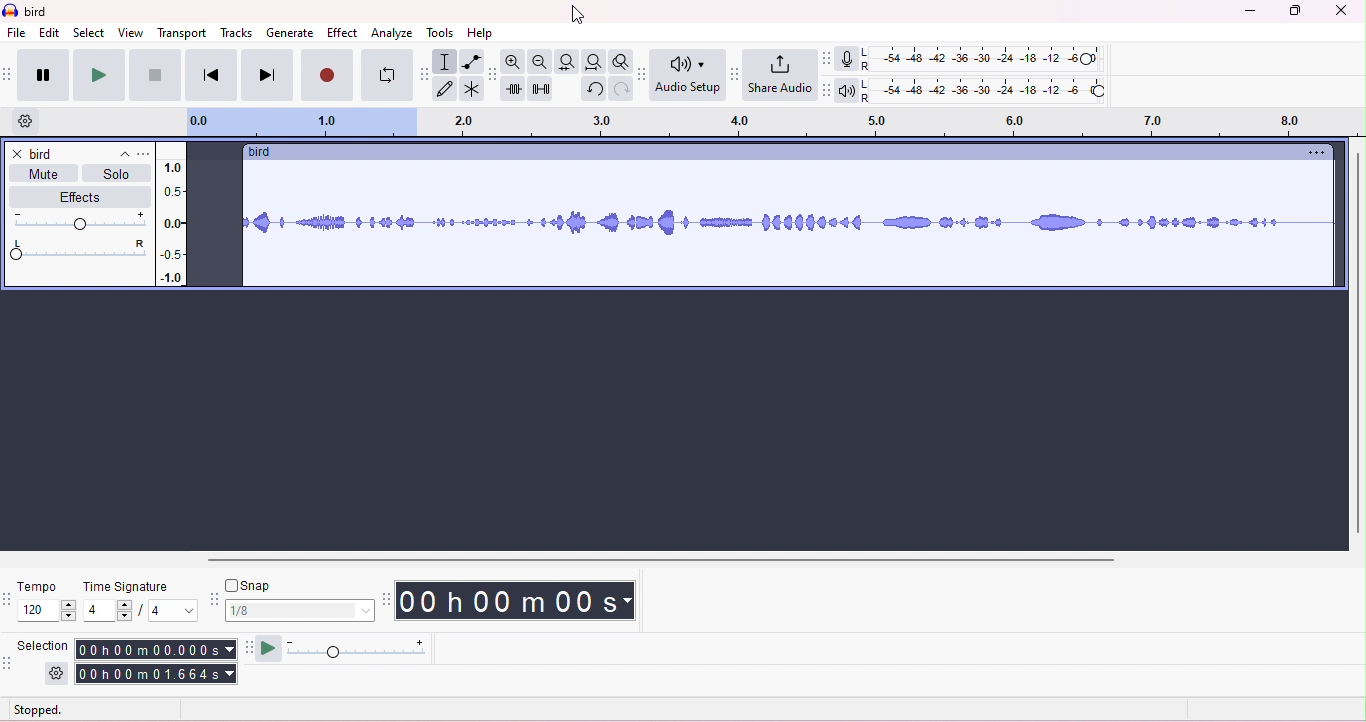  I want to click on pan, so click(79, 250).